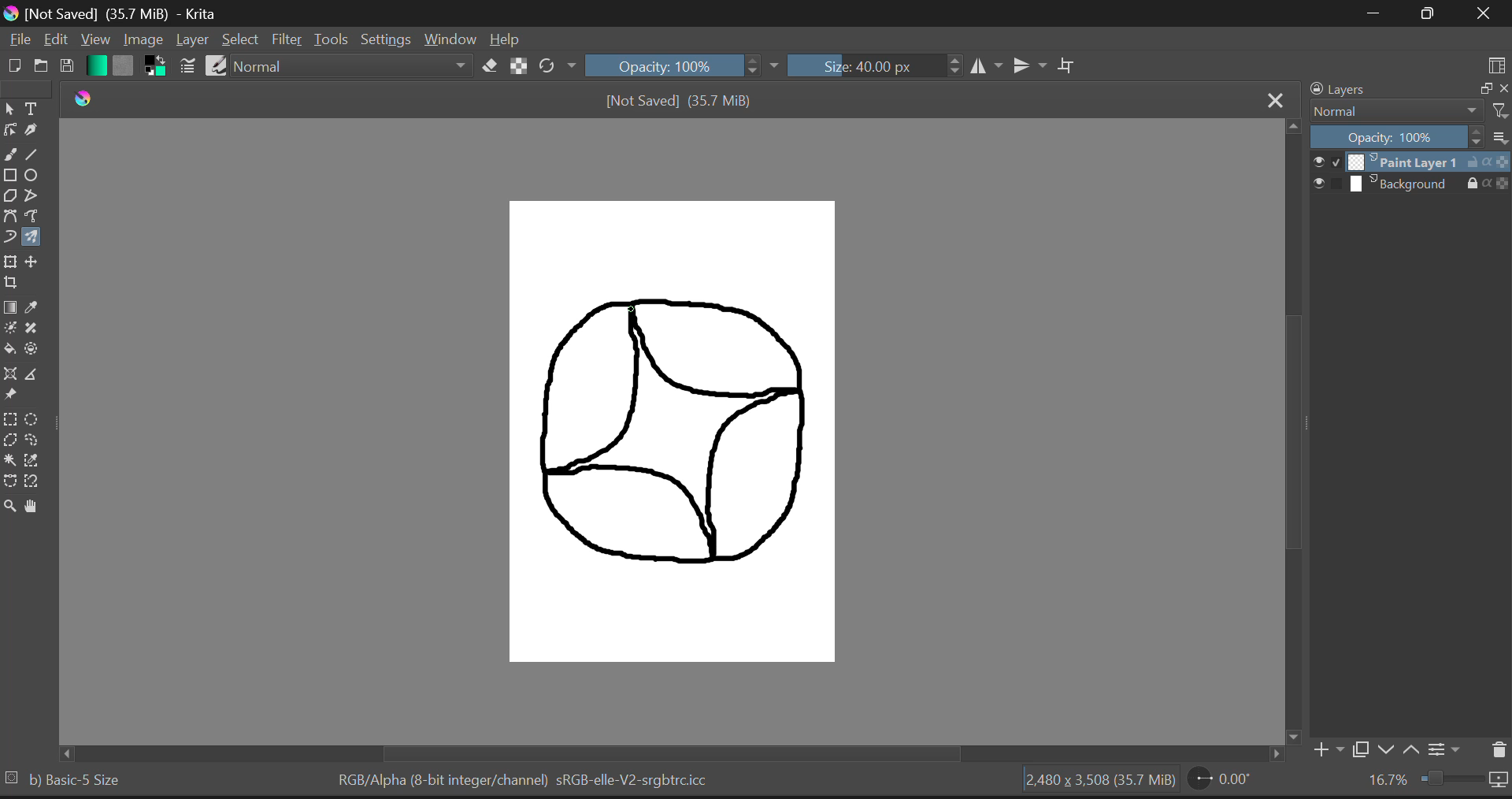 Image resolution: width=1512 pixels, height=799 pixels. Describe the element at coordinates (11, 461) in the screenshot. I see `Continuous Selection` at that location.